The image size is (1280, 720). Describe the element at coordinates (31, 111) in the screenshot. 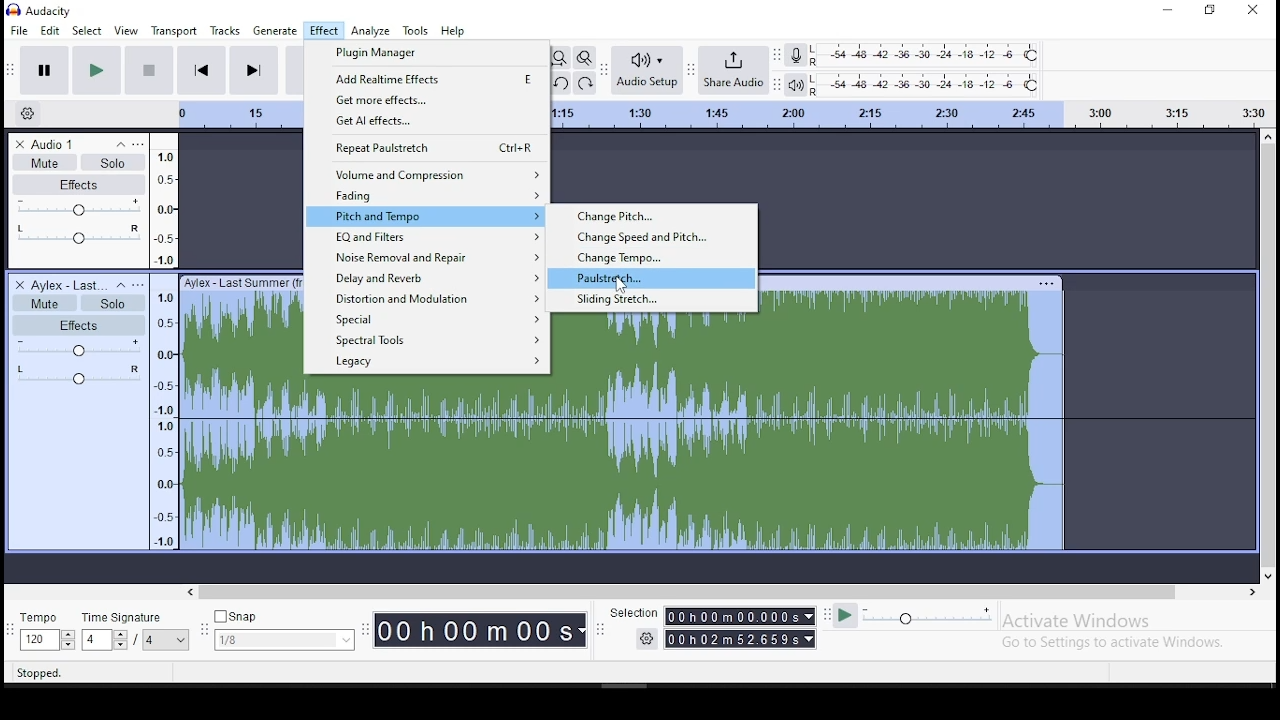

I see `settings` at that location.